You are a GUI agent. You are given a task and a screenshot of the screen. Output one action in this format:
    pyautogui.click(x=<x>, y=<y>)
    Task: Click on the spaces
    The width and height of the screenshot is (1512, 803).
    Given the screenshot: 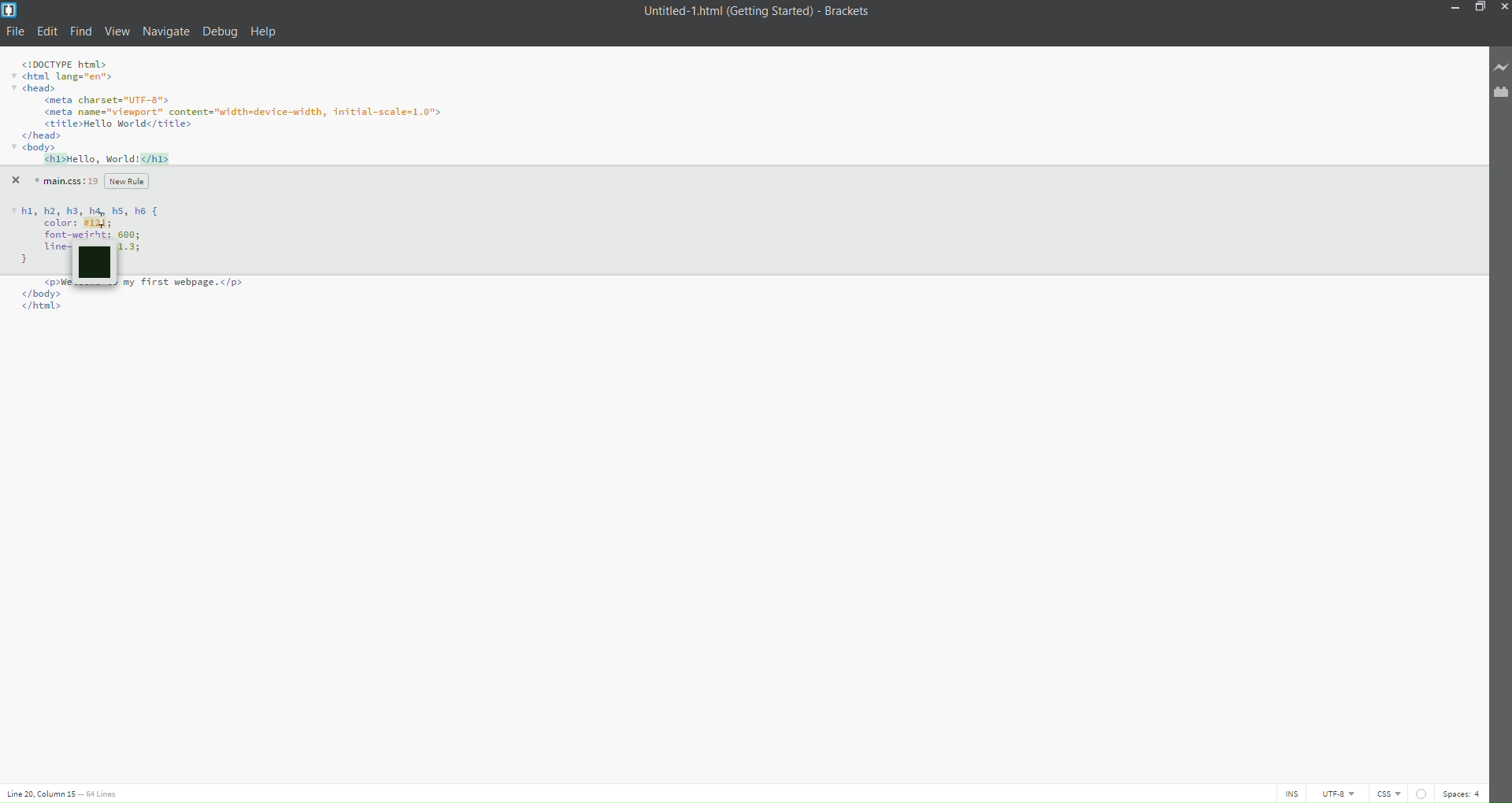 What is the action you would take?
    pyautogui.click(x=1463, y=792)
    